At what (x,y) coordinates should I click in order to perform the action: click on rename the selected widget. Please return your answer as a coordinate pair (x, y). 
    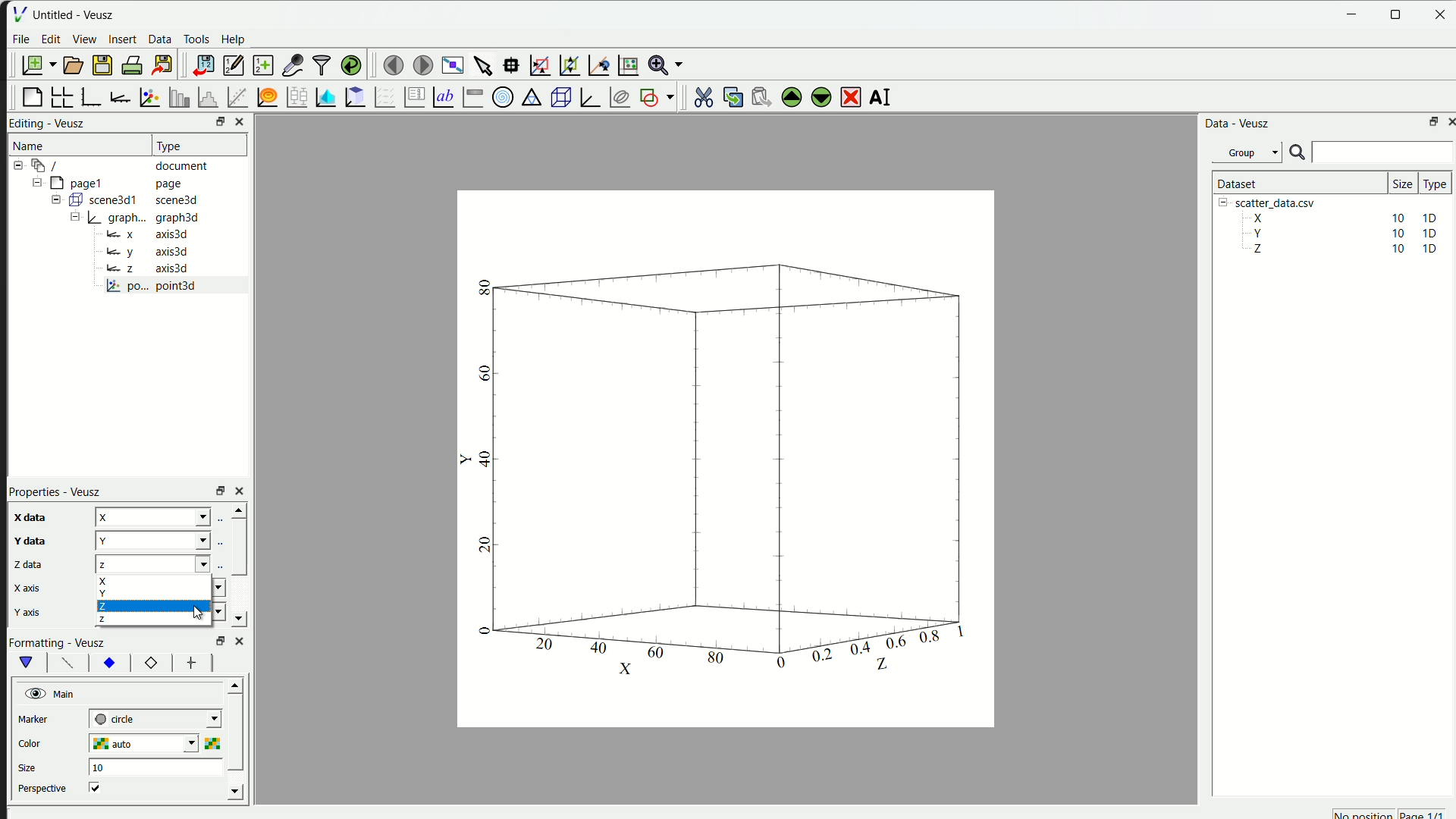
    Looking at the image, I should click on (880, 96).